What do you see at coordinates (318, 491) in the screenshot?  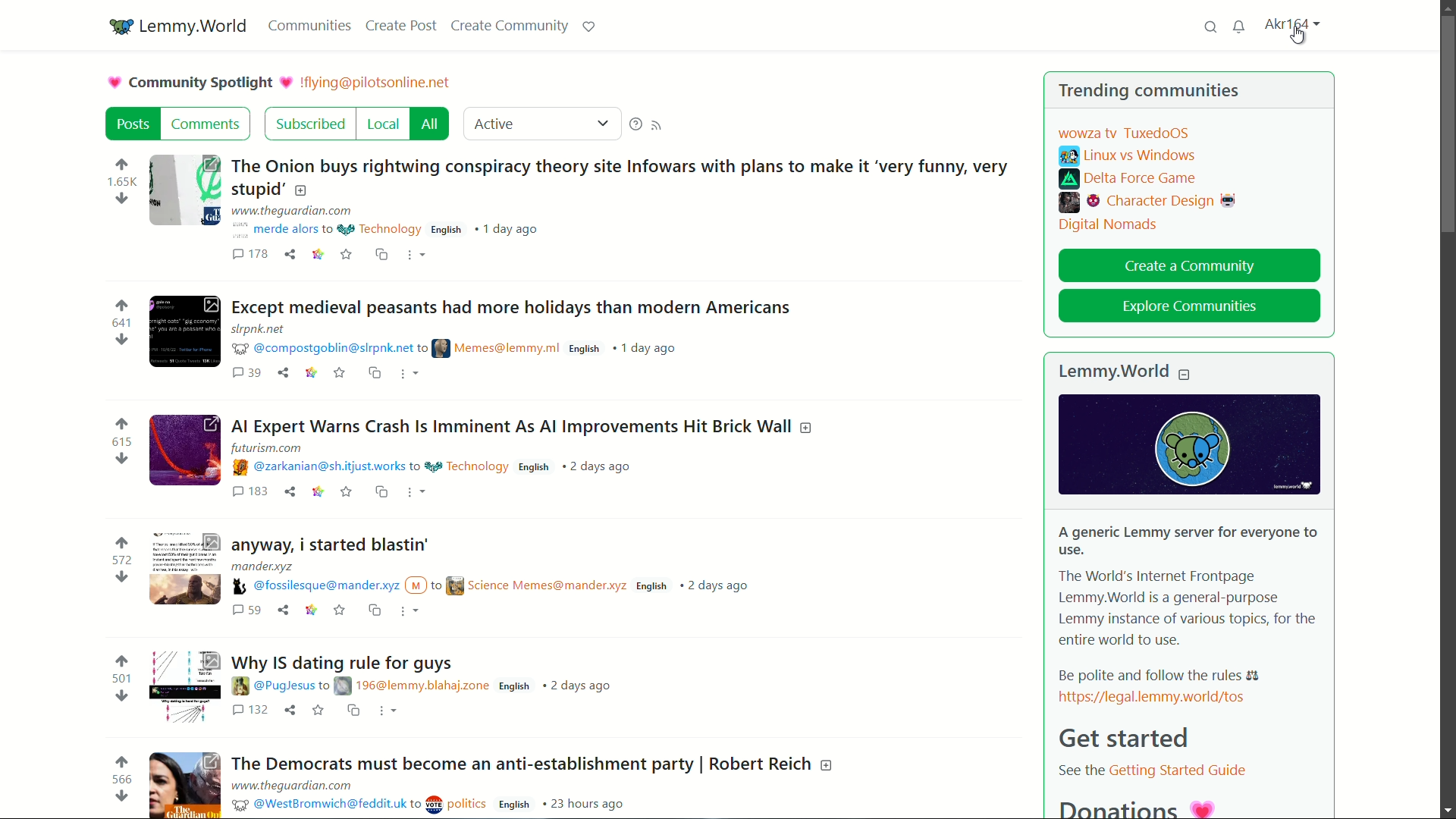 I see `link` at bounding box center [318, 491].